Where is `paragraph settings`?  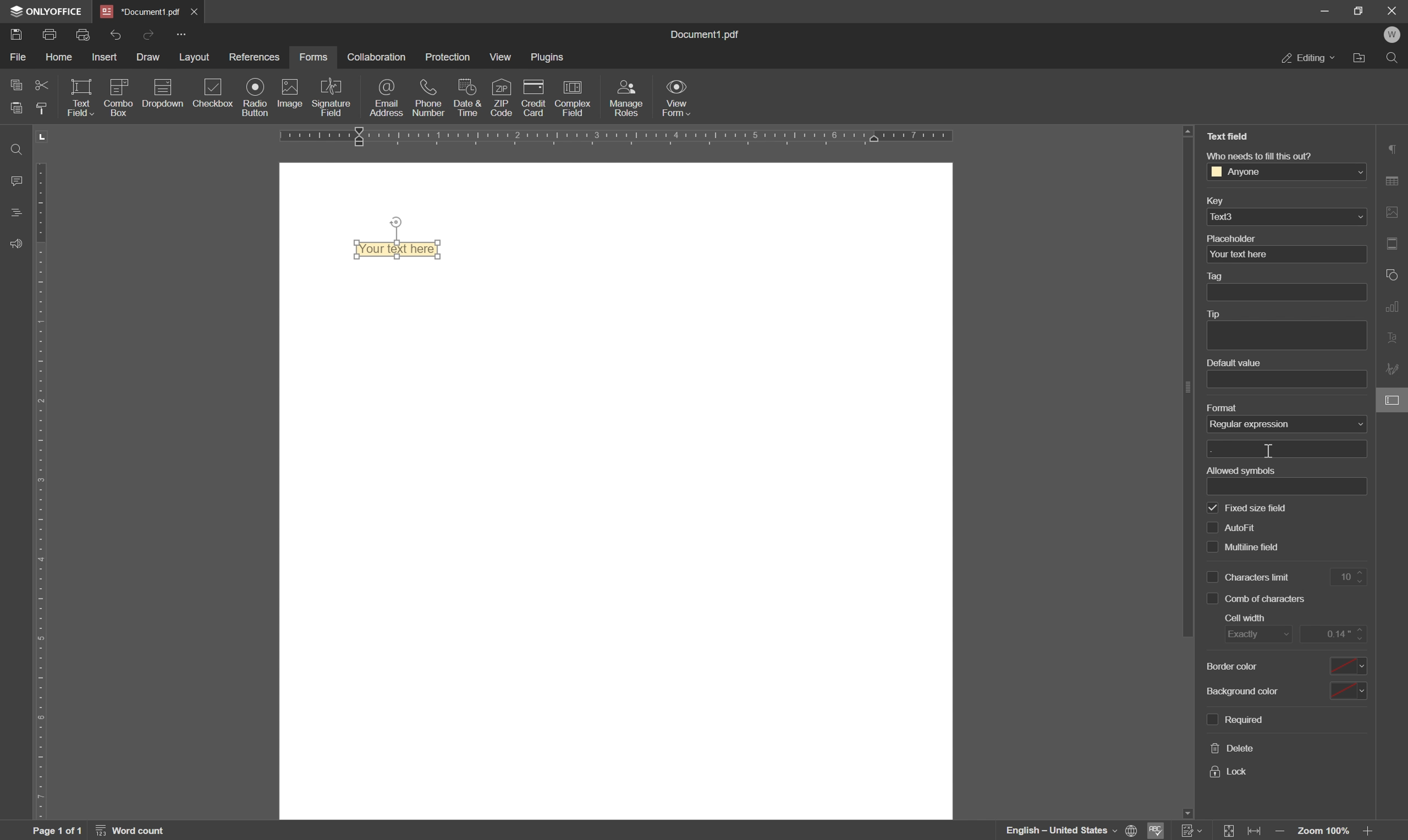 paragraph settings is located at coordinates (1394, 148).